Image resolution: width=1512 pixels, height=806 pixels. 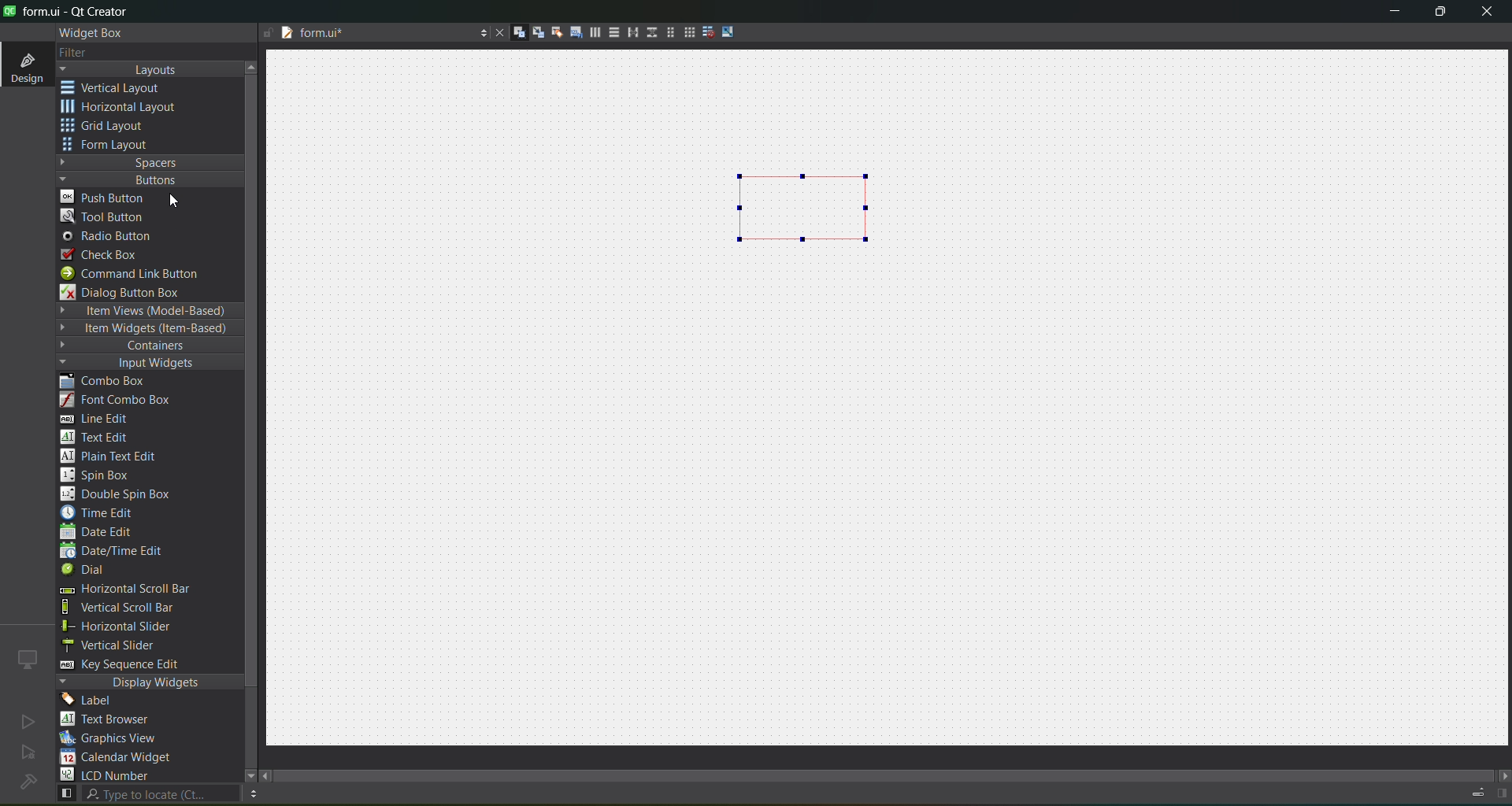 I want to click on spin box, so click(x=103, y=475).